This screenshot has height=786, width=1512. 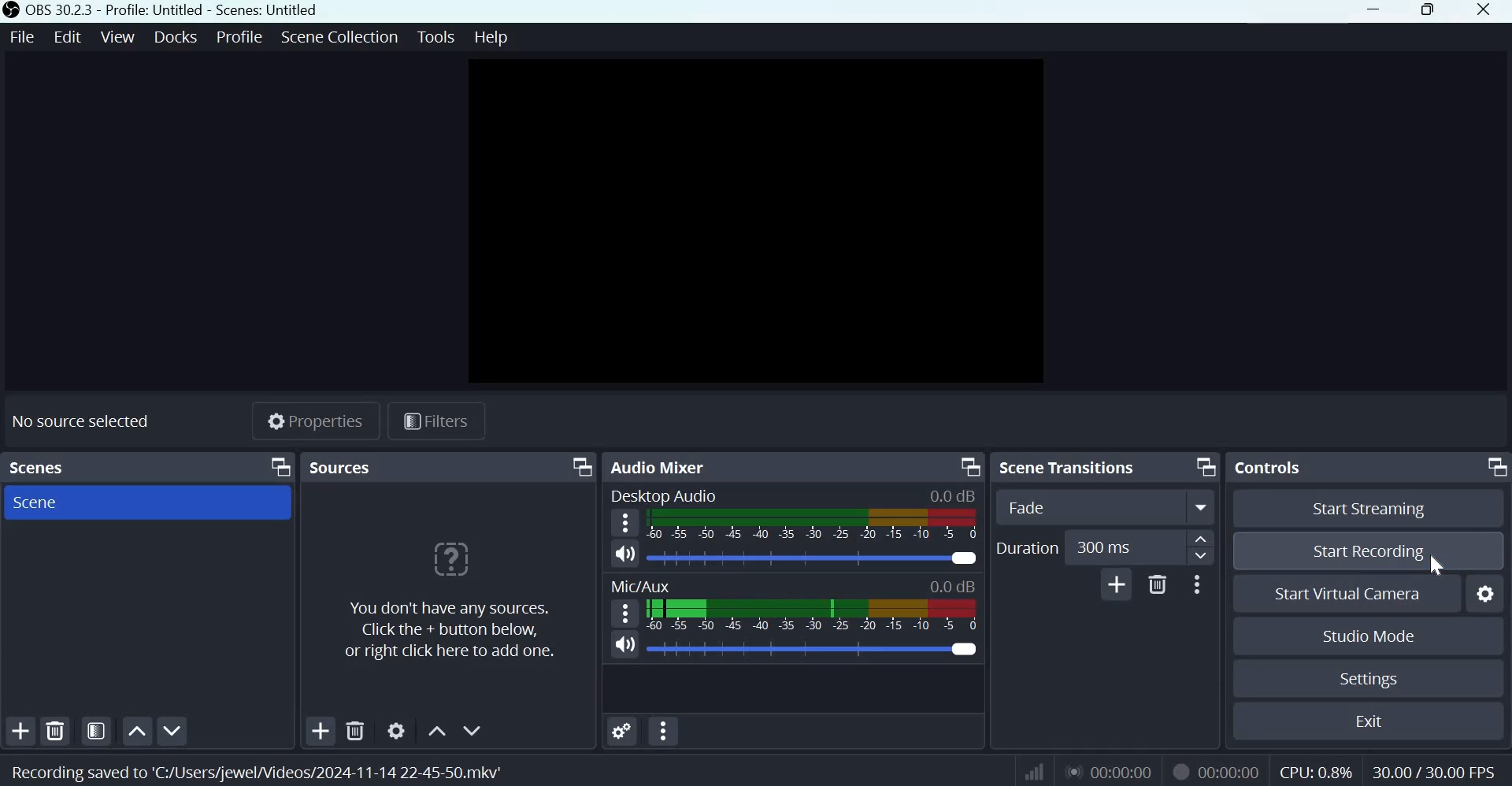 What do you see at coordinates (793, 651) in the screenshot?
I see `` at bounding box center [793, 651].